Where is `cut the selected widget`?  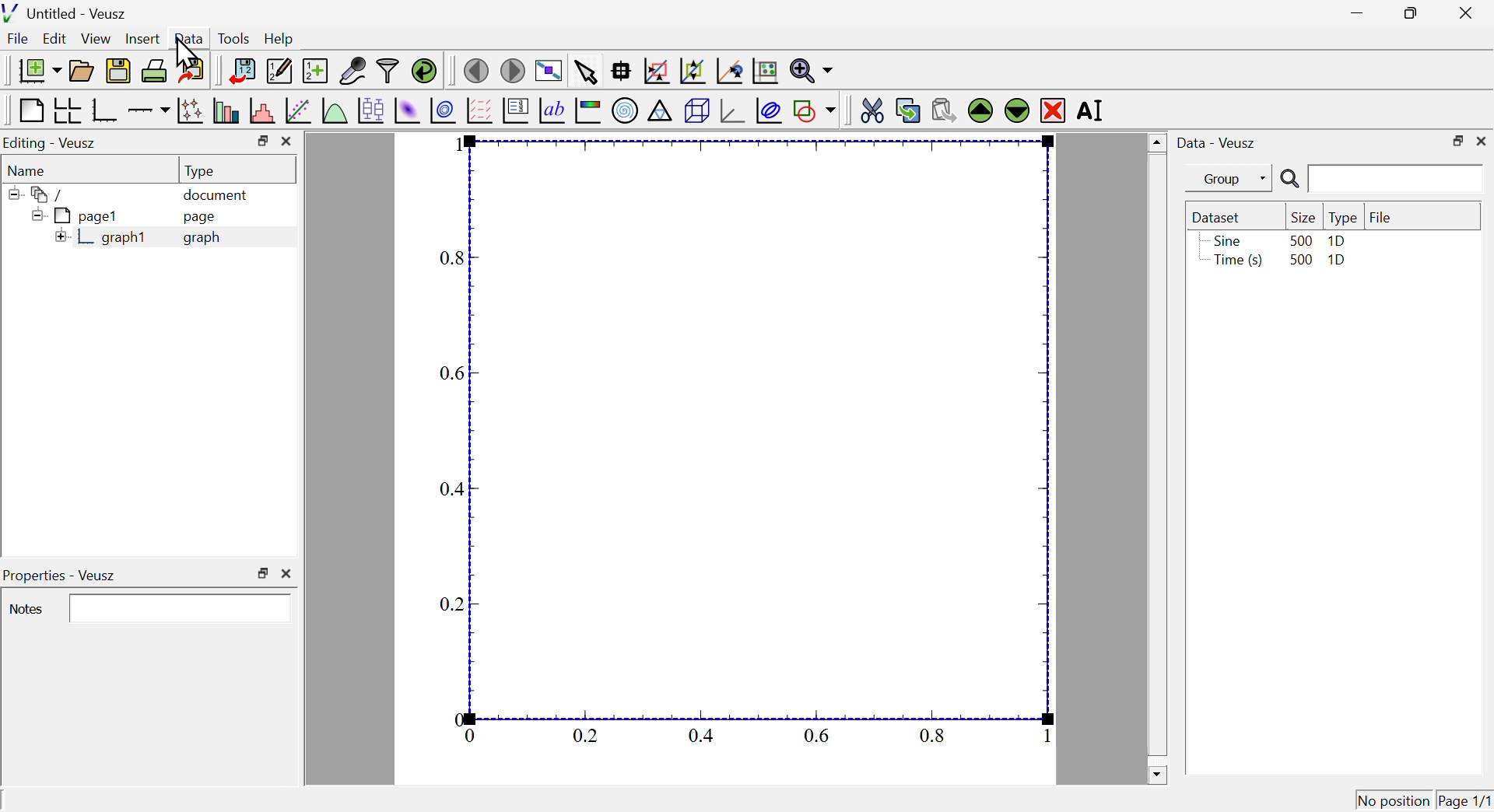 cut the selected widget is located at coordinates (869, 109).